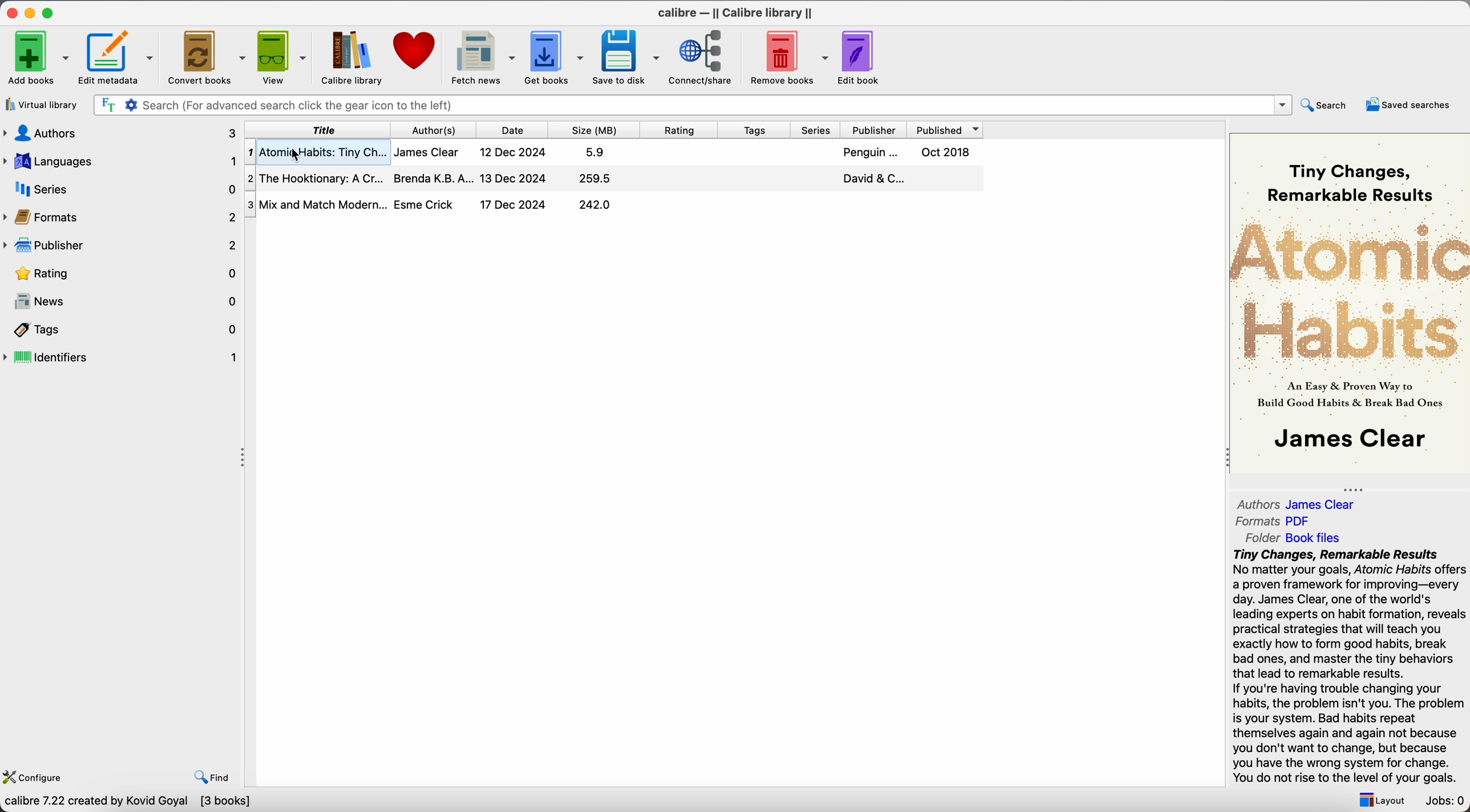  I want to click on Convert books, so click(205, 56).